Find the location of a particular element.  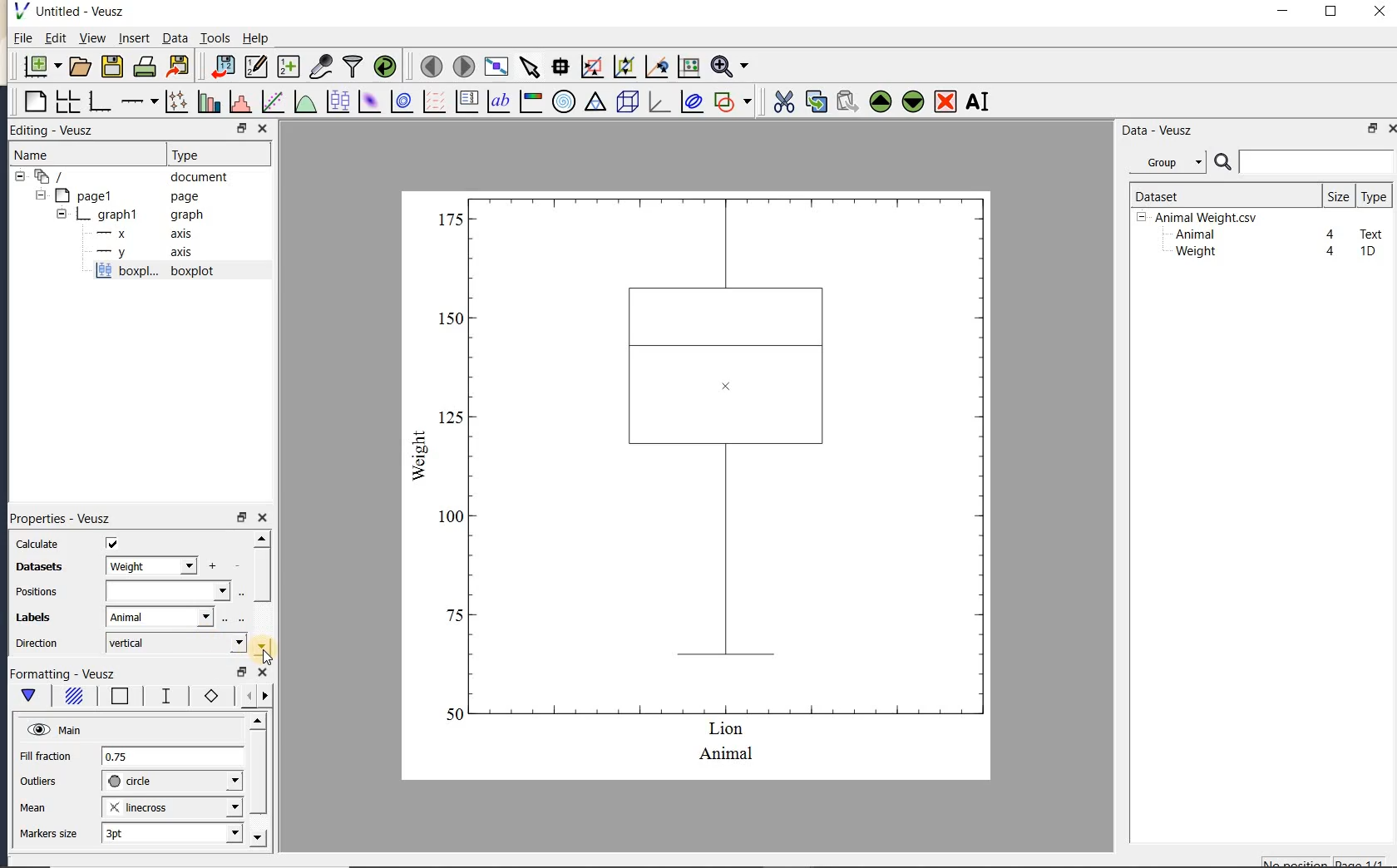

plot a 2d dataset as an image is located at coordinates (368, 101).